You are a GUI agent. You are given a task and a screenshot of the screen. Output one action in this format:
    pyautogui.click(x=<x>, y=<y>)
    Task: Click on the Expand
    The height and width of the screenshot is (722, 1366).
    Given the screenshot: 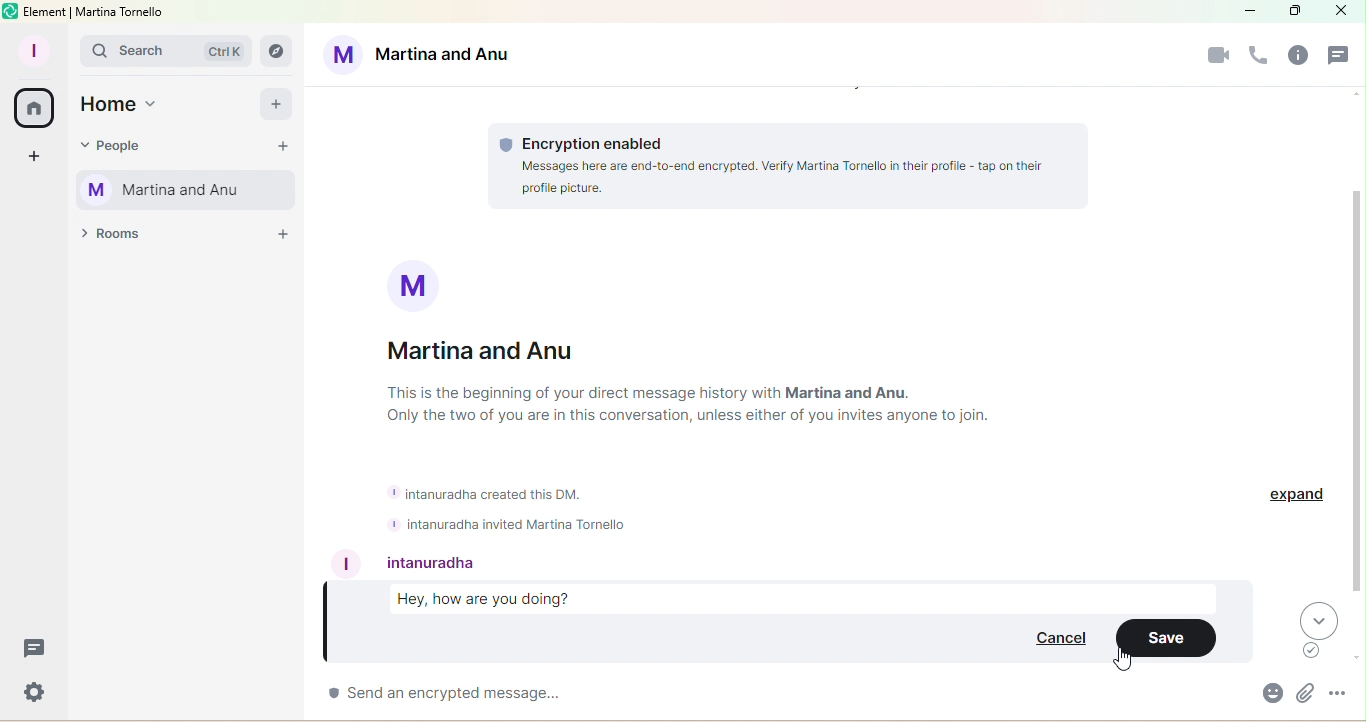 What is the action you would take?
    pyautogui.click(x=1299, y=494)
    